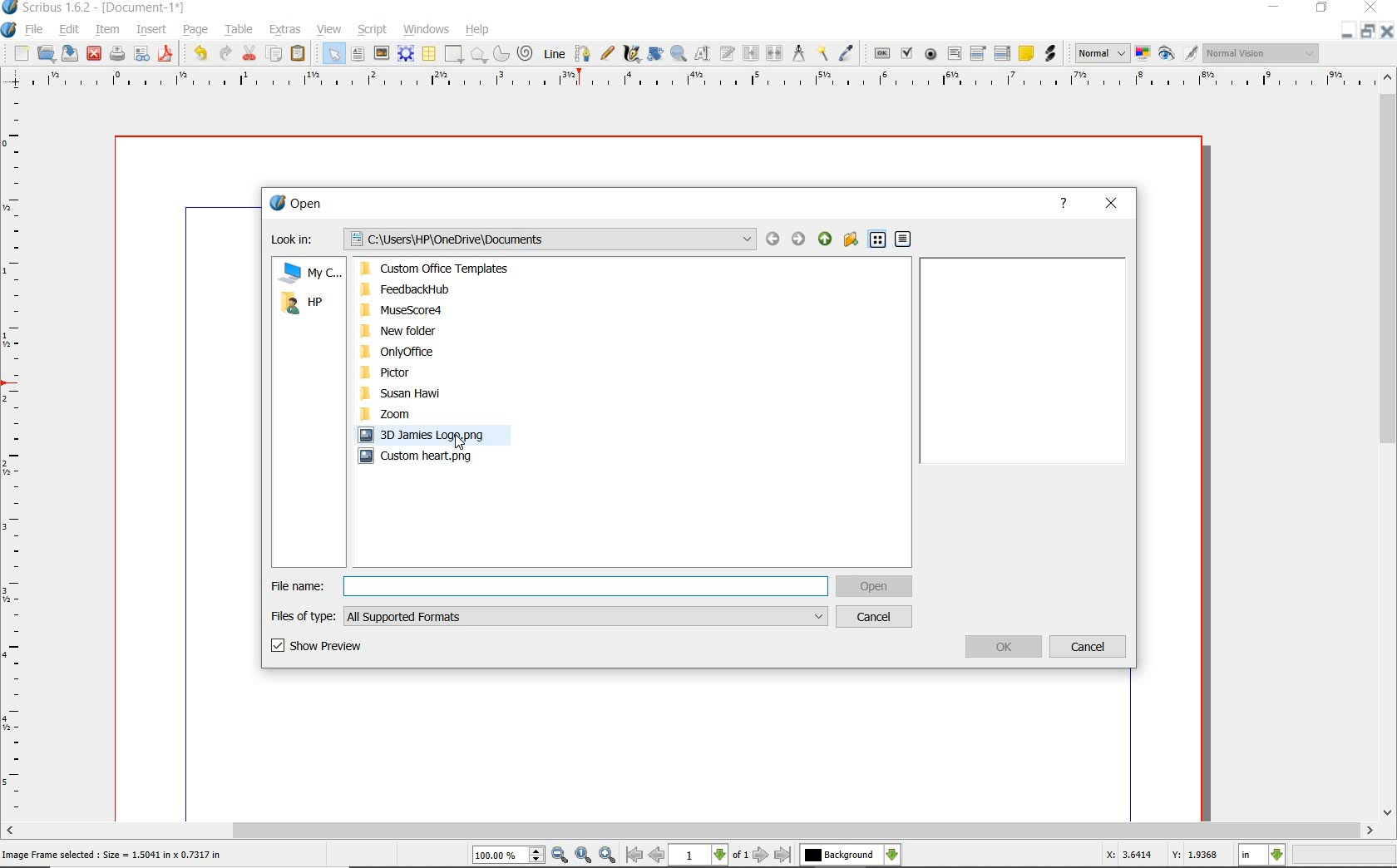 The height and width of the screenshot is (868, 1397). I want to click on copy item properties, so click(822, 54).